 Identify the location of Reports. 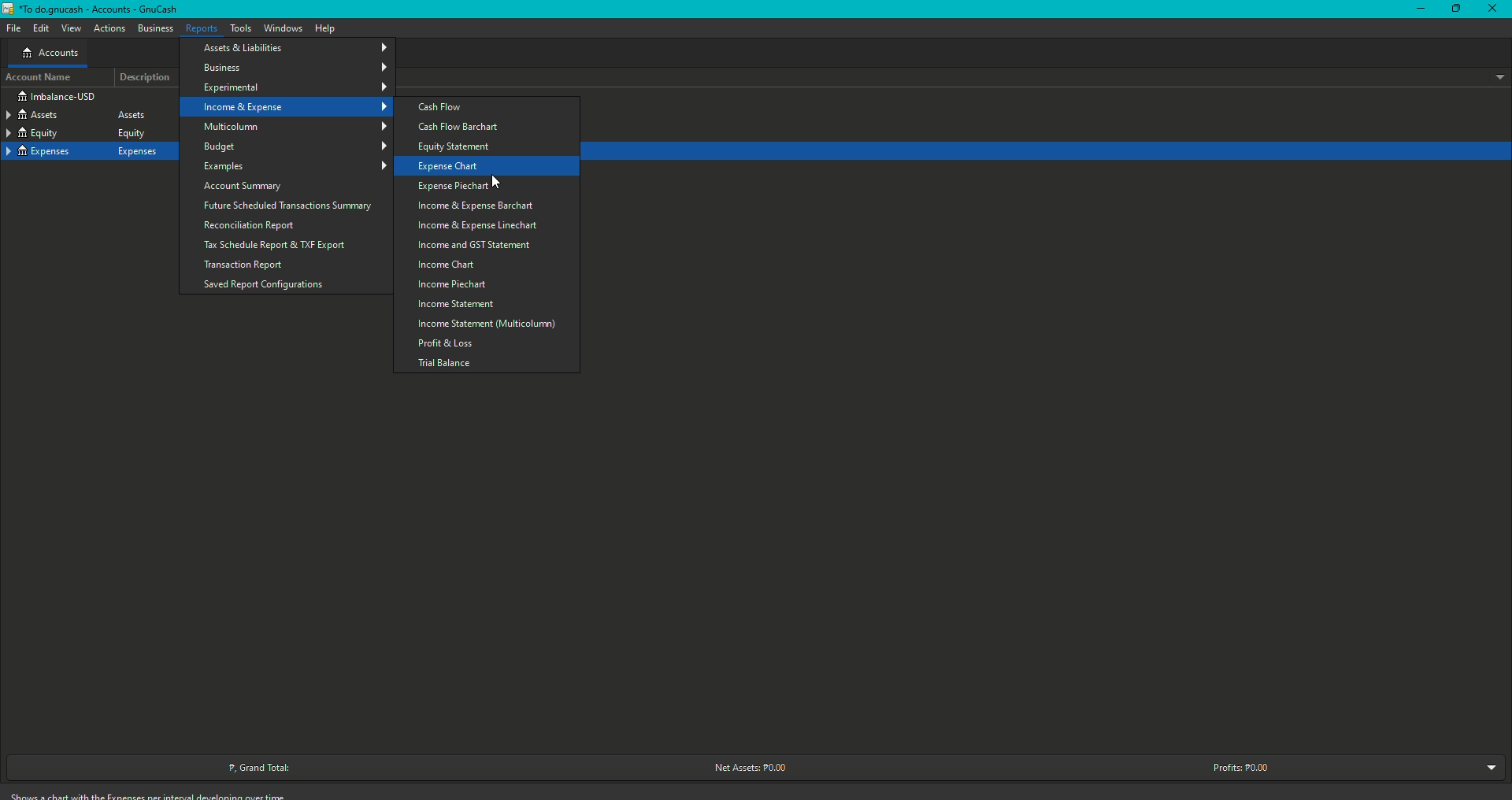
(202, 27).